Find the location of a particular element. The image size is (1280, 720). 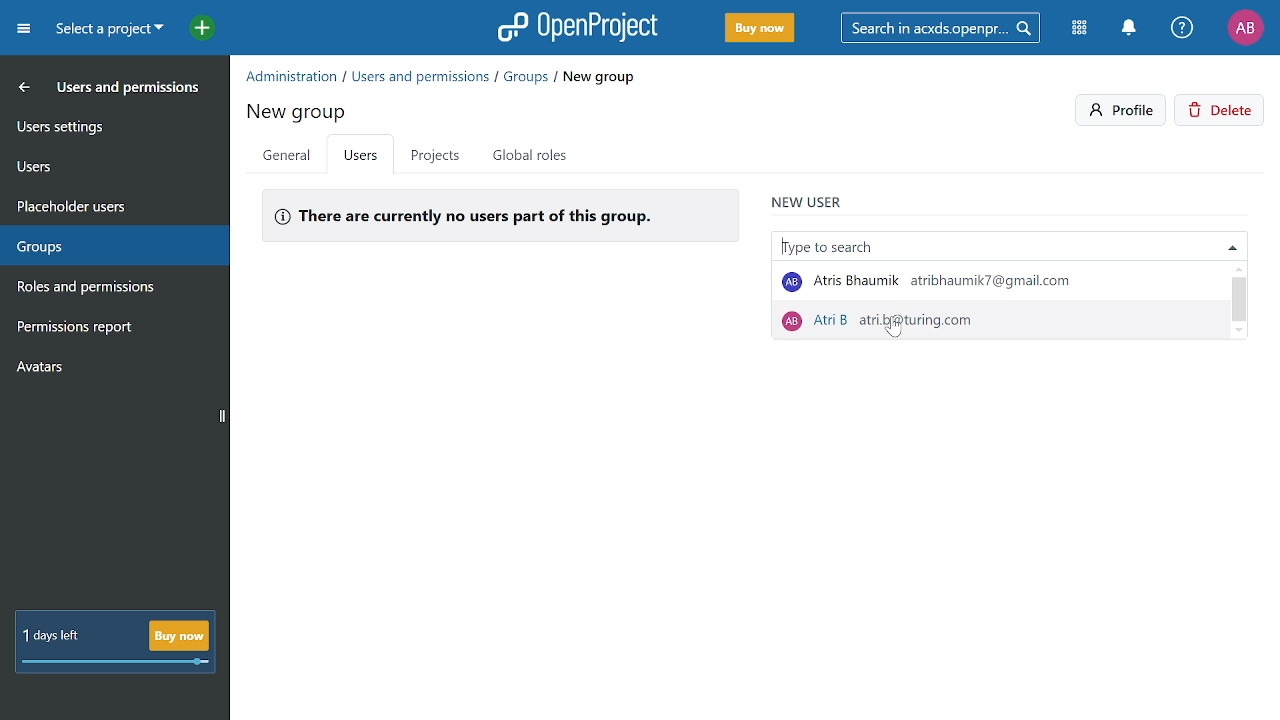

Open quick add menu is located at coordinates (192, 27).